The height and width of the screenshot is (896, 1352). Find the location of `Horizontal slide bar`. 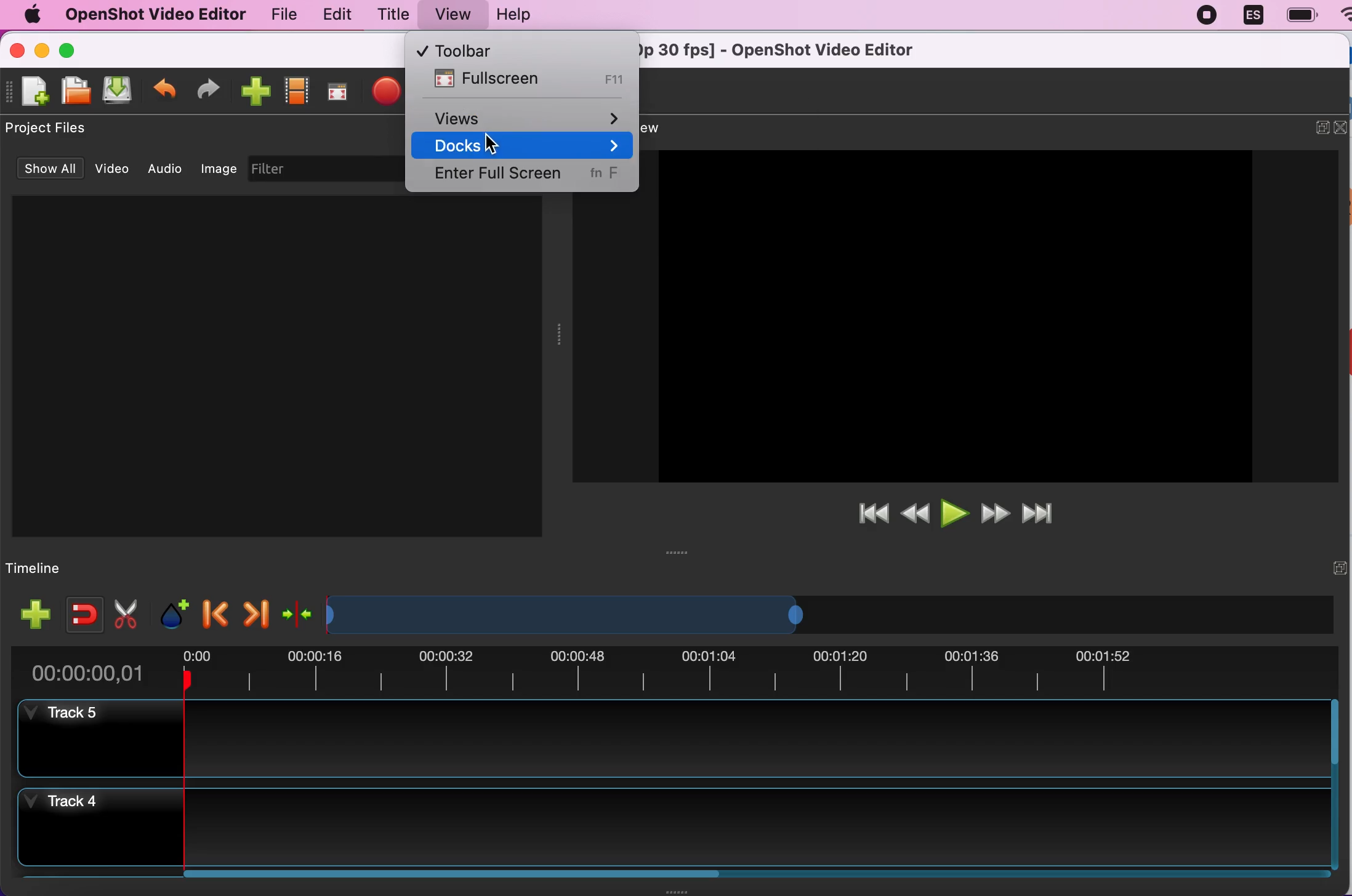

Horizontal slide bar is located at coordinates (742, 874).